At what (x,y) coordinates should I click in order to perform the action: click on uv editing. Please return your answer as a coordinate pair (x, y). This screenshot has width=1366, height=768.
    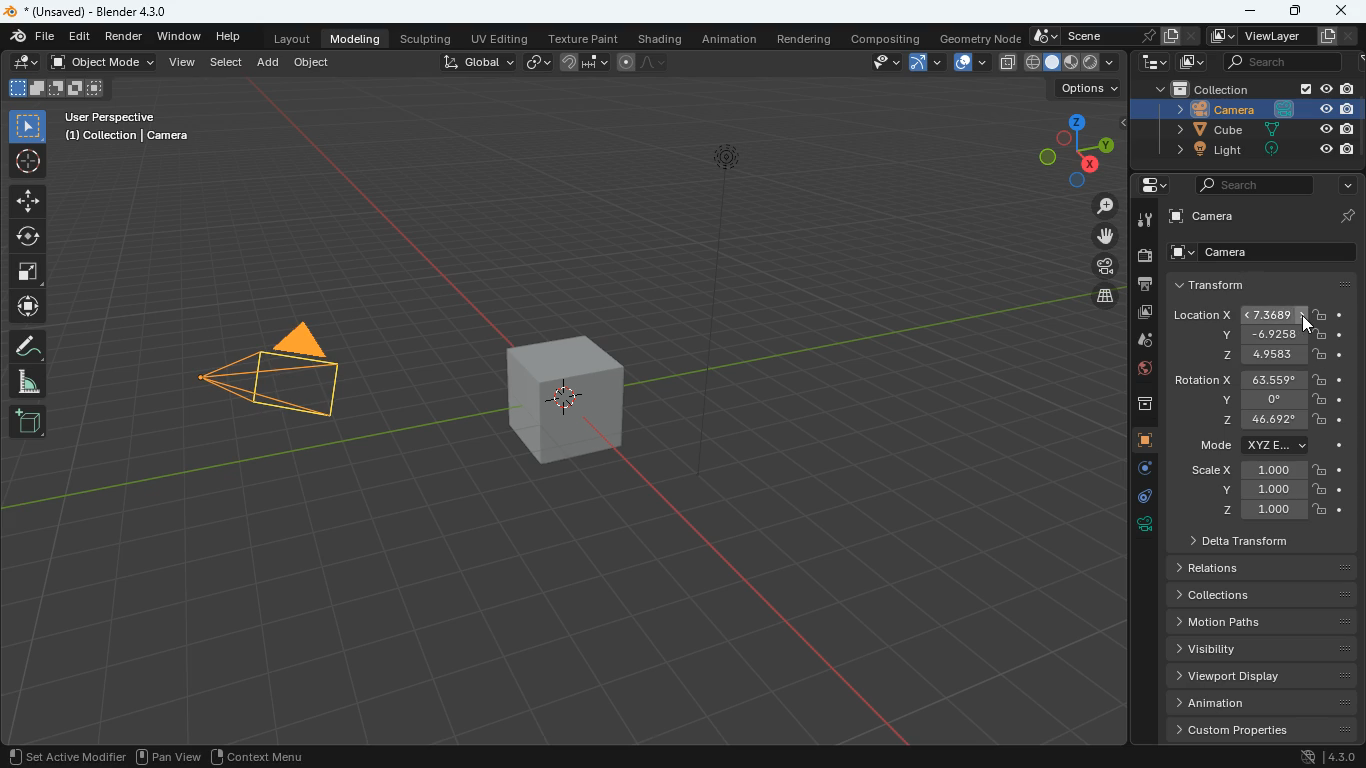
    Looking at the image, I should click on (500, 38).